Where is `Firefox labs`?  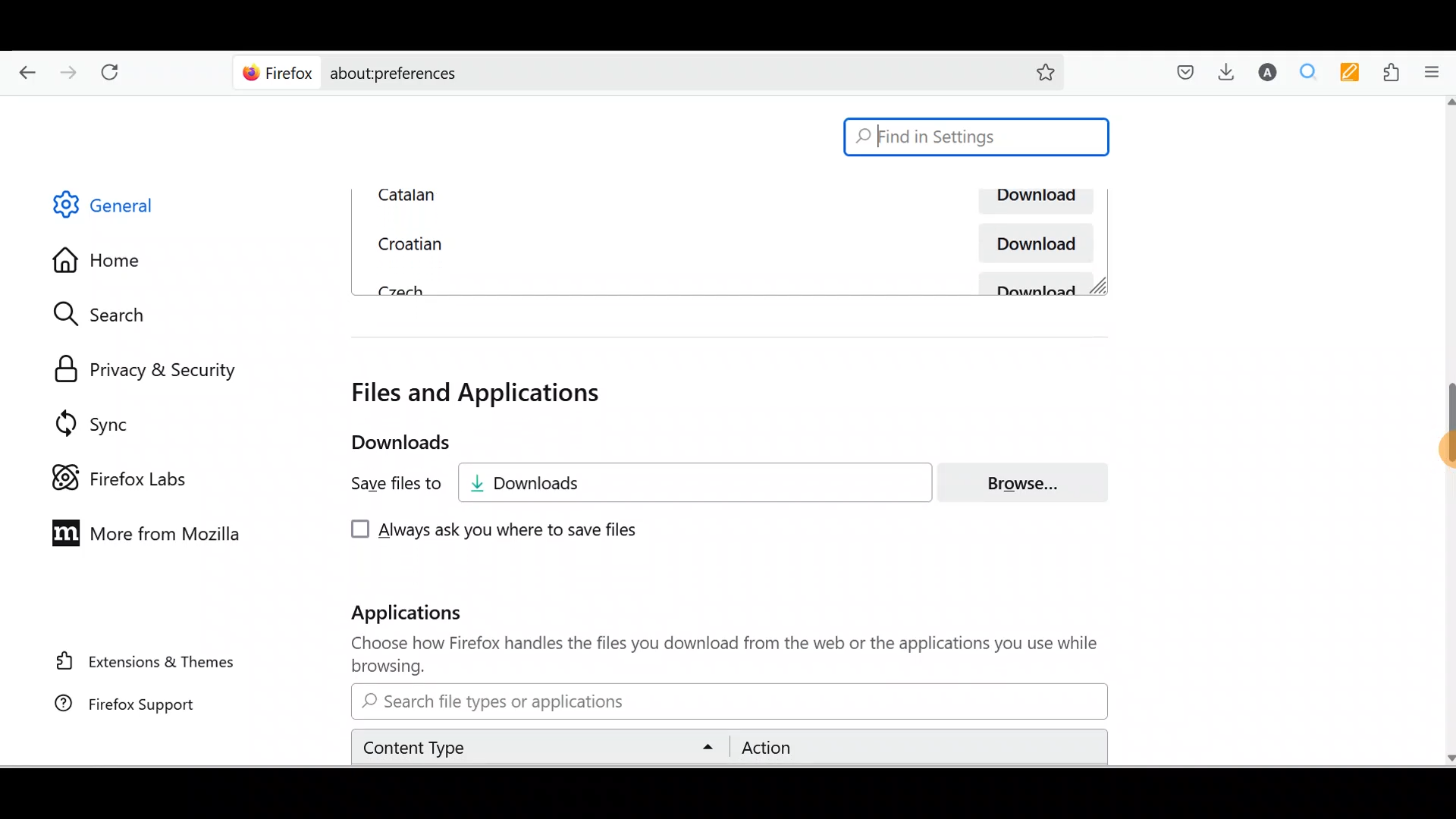 Firefox labs is located at coordinates (115, 470).